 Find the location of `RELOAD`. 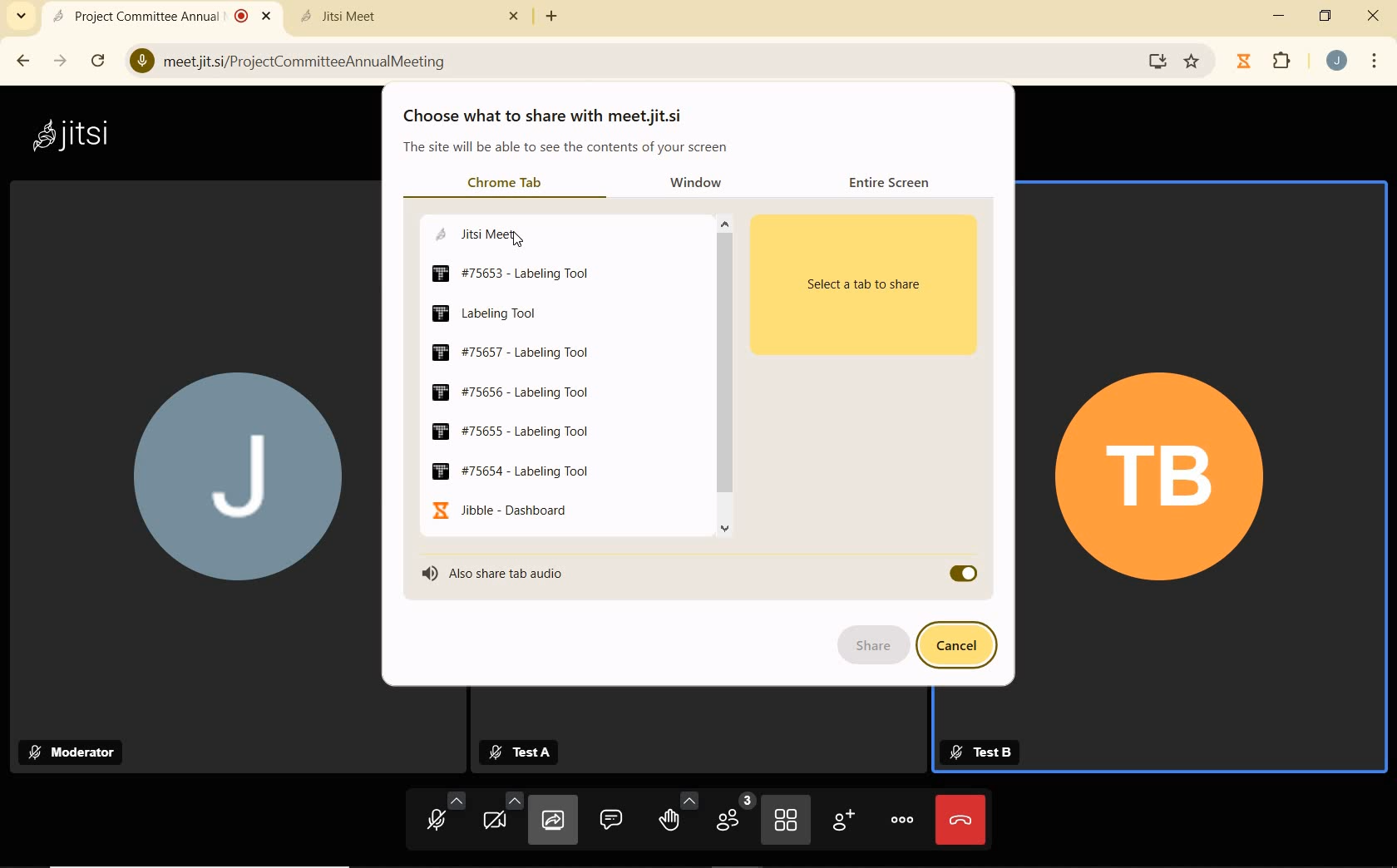

RELOAD is located at coordinates (101, 60).